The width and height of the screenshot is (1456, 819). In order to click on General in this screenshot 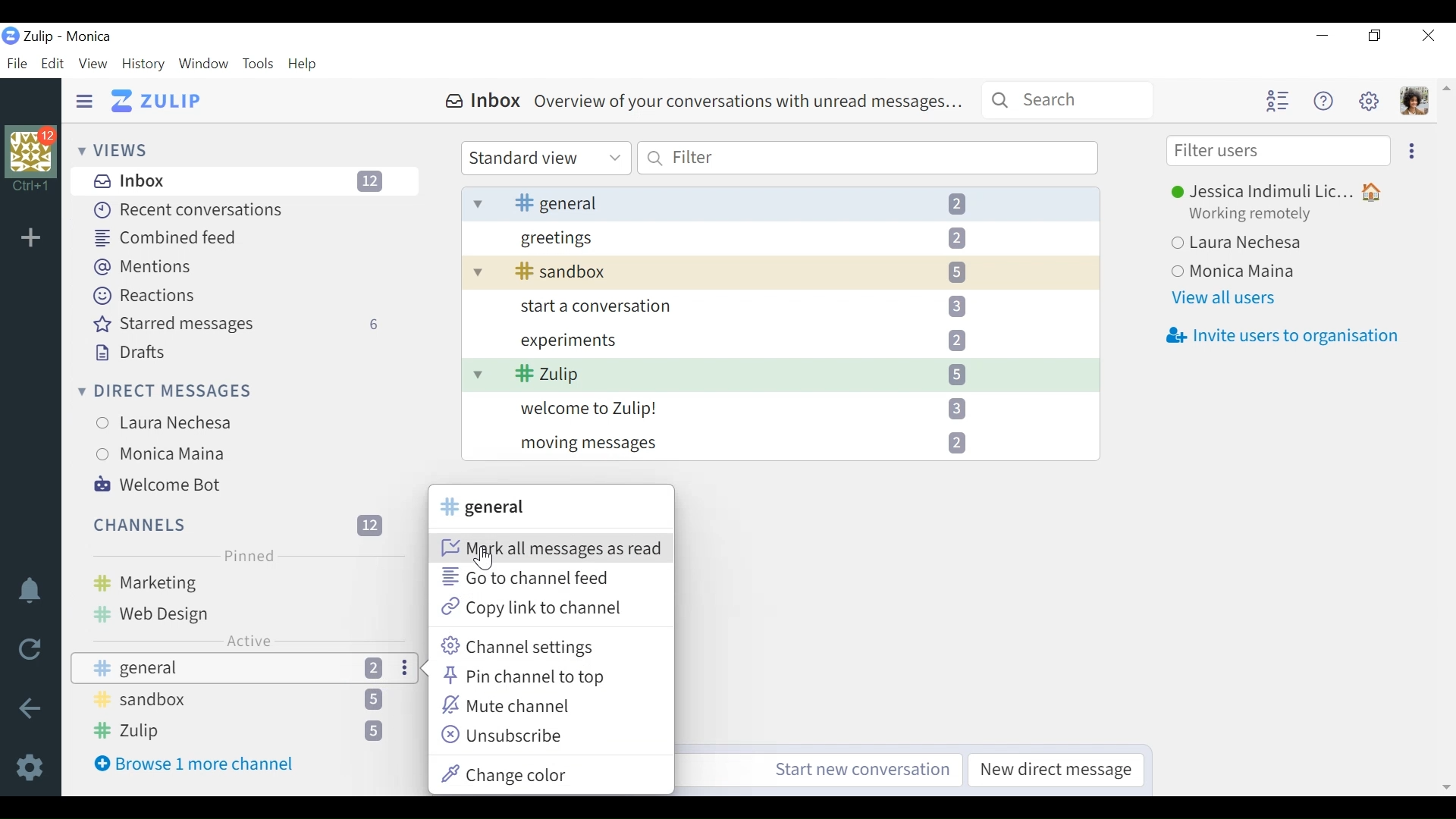, I will do `click(485, 507)`.